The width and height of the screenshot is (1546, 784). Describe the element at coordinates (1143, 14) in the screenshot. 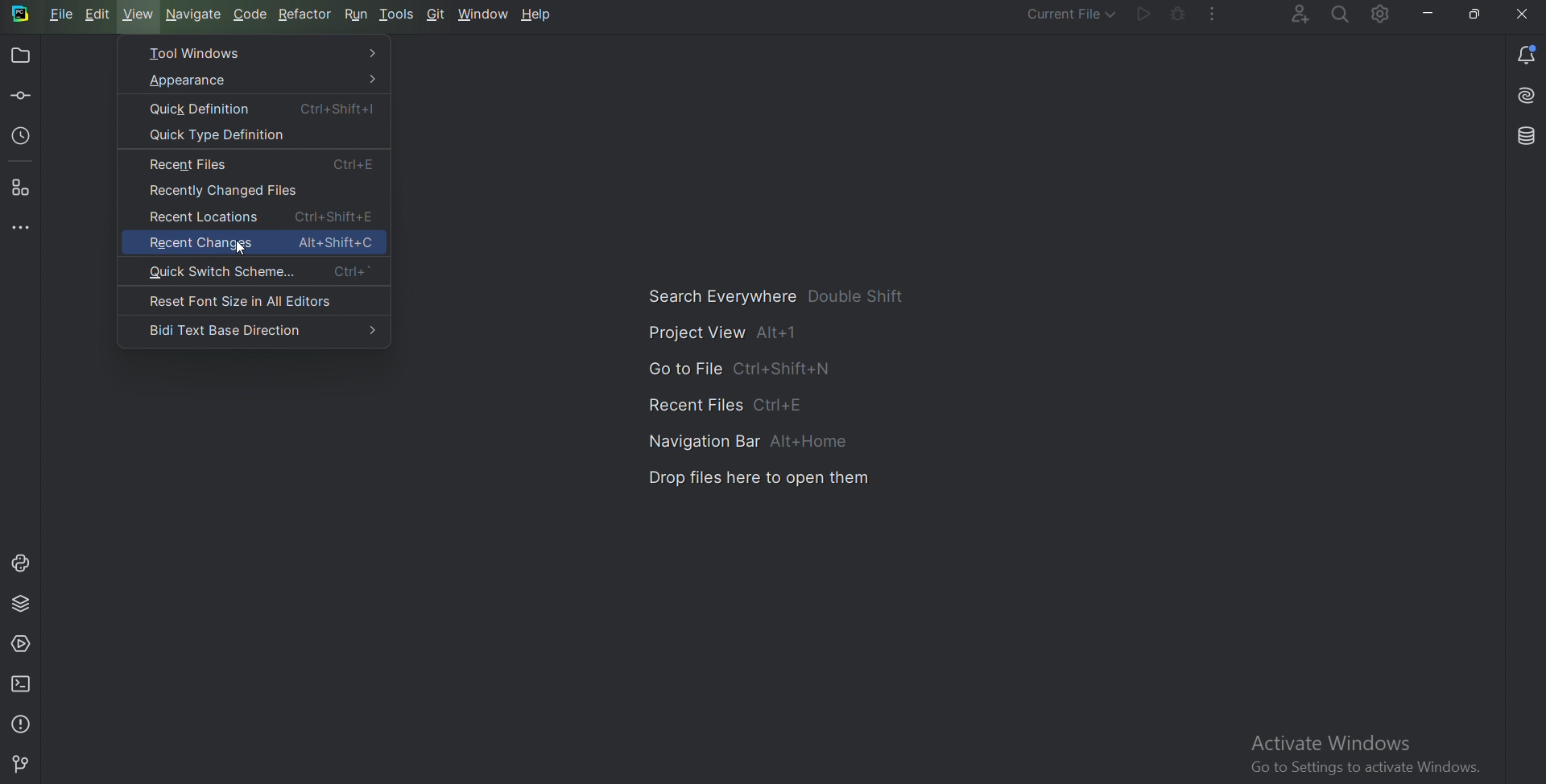

I see `Run ` at that location.